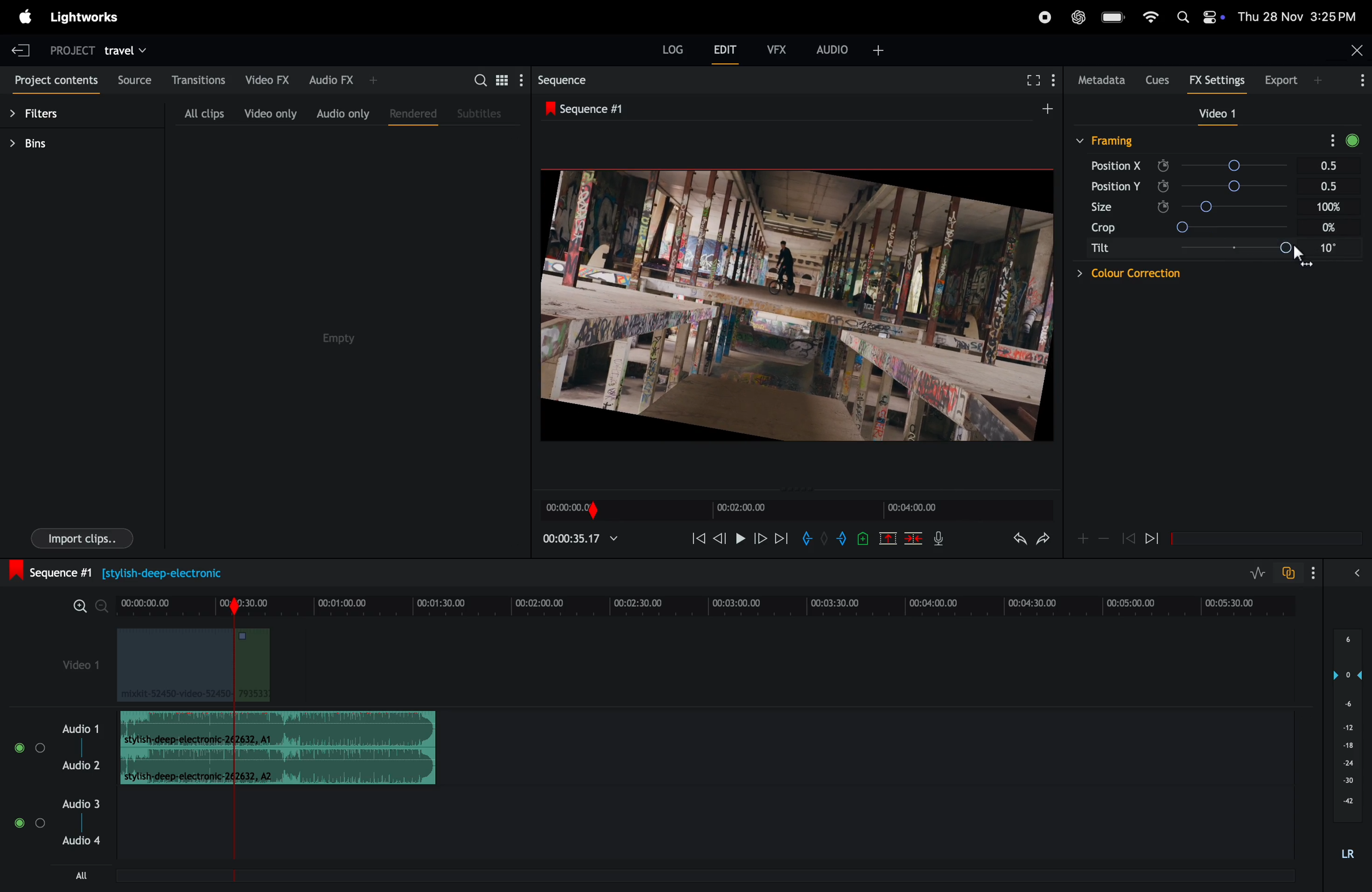  What do you see at coordinates (269, 114) in the screenshot?
I see `video only` at bounding box center [269, 114].